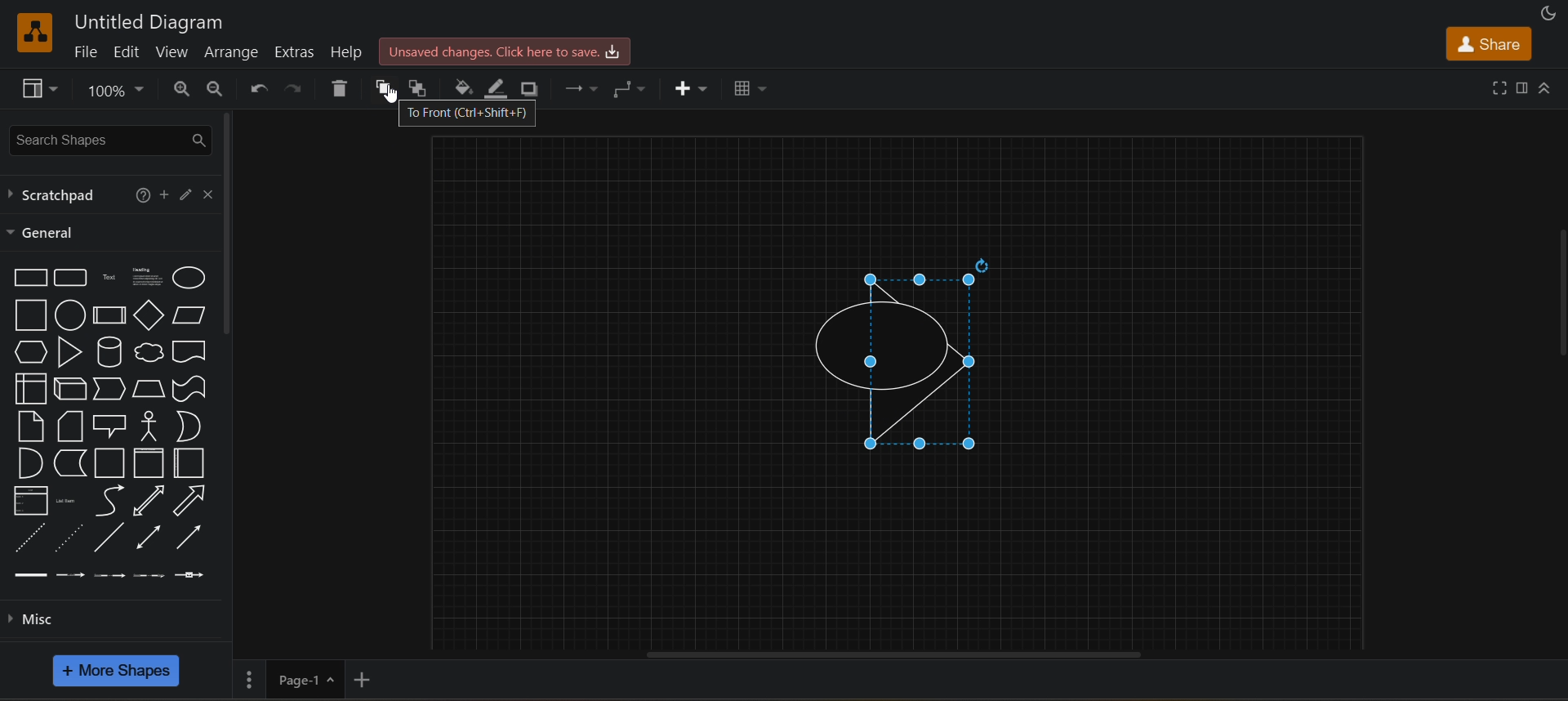 The width and height of the screenshot is (1568, 701). Describe the element at coordinates (189, 277) in the screenshot. I see `ellipse` at that location.